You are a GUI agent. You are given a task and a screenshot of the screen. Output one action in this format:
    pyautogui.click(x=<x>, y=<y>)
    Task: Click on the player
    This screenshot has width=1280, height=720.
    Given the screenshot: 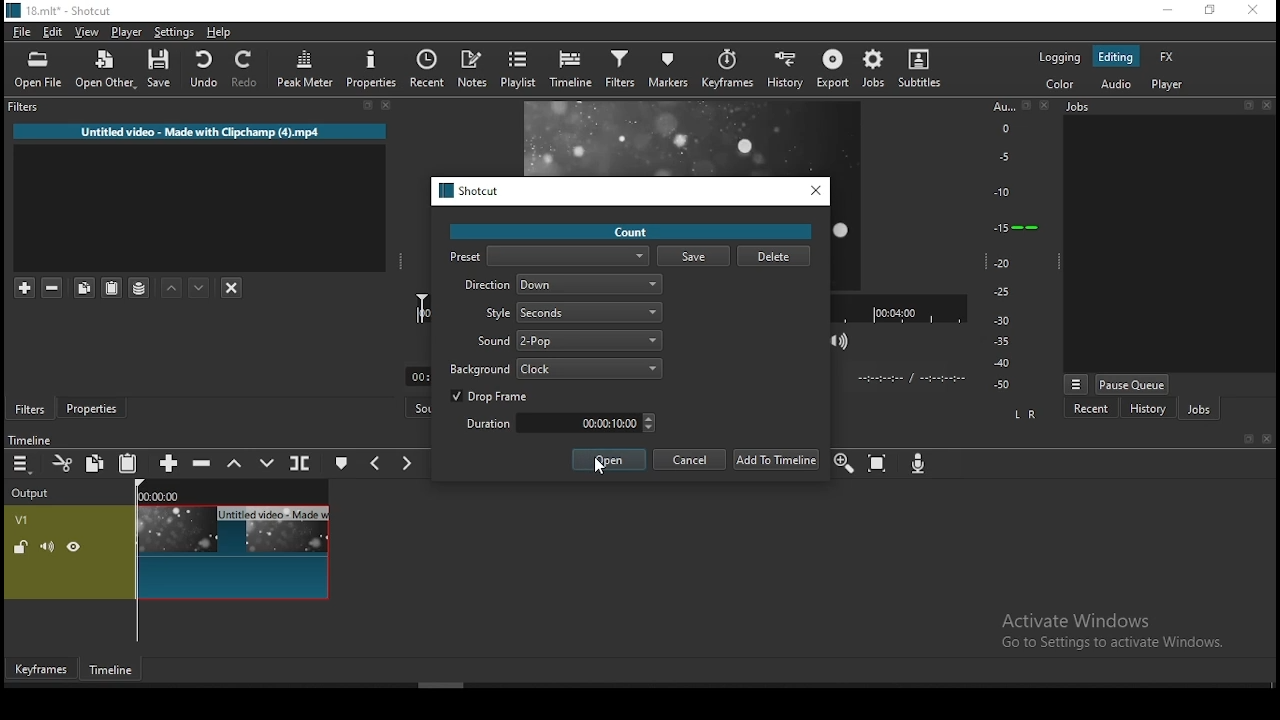 What is the action you would take?
    pyautogui.click(x=1170, y=86)
    